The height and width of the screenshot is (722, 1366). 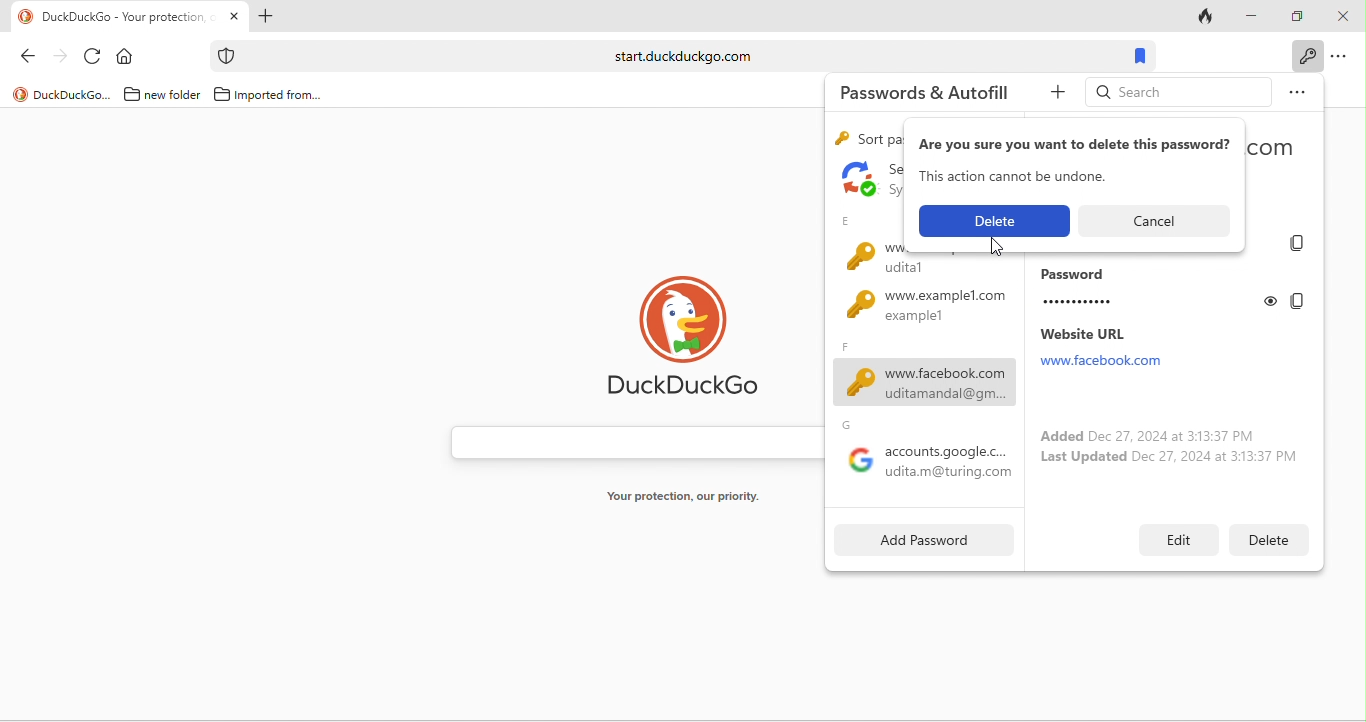 What do you see at coordinates (1122, 348) in the screenshot?
I see `website url` at bounding box center [1122, 348].